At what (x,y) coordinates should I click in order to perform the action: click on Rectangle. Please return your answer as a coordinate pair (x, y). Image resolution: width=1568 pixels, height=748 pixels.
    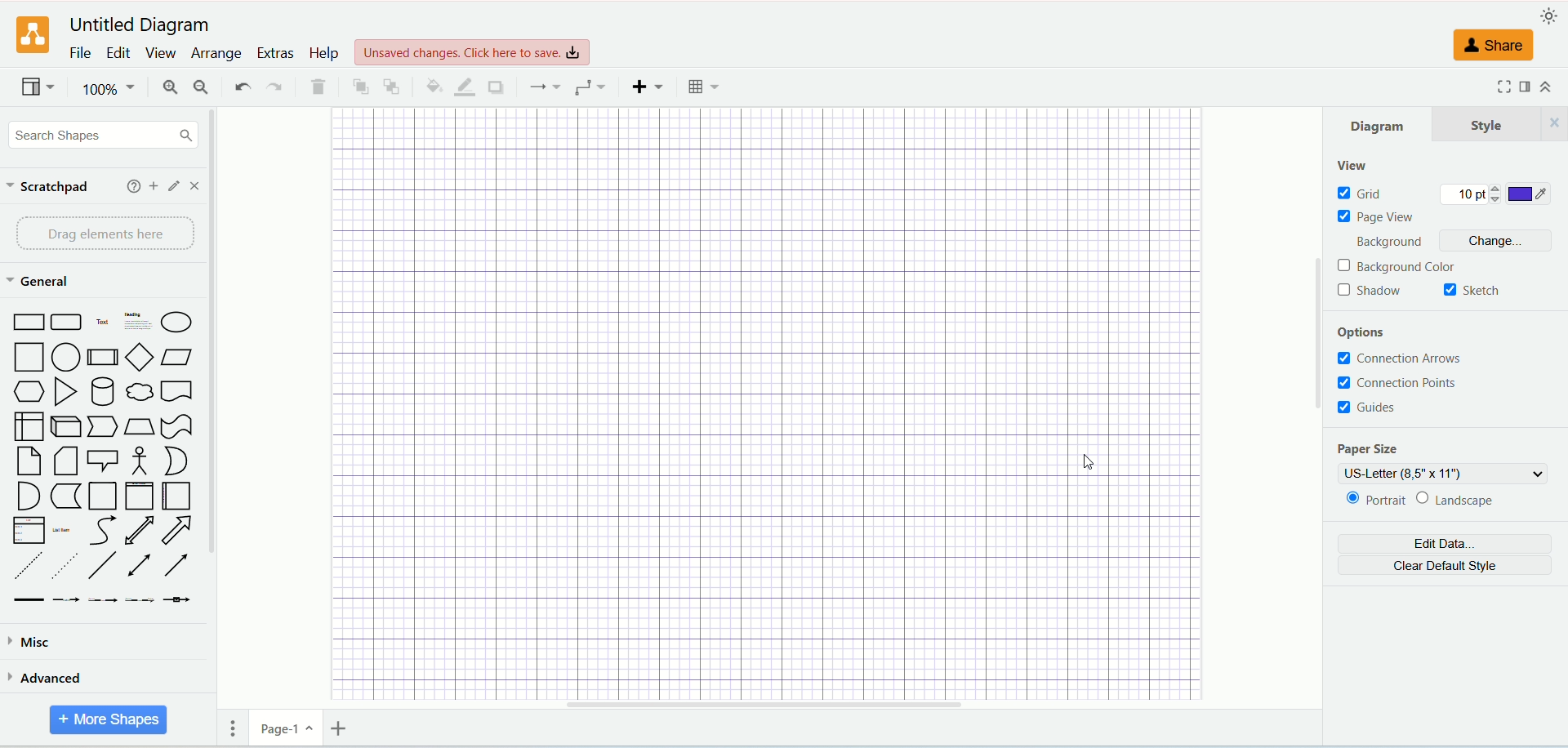
    Looking at the image, I should click on (30, 321).